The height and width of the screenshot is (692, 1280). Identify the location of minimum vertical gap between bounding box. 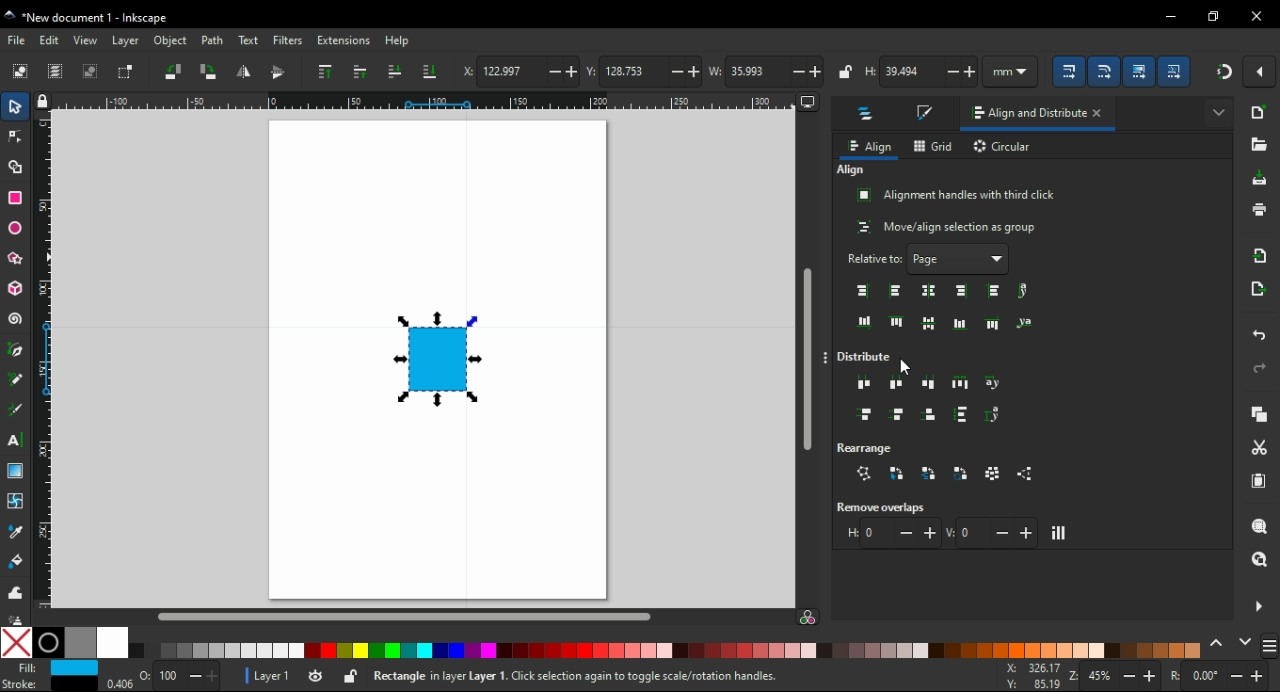
(992, 532).